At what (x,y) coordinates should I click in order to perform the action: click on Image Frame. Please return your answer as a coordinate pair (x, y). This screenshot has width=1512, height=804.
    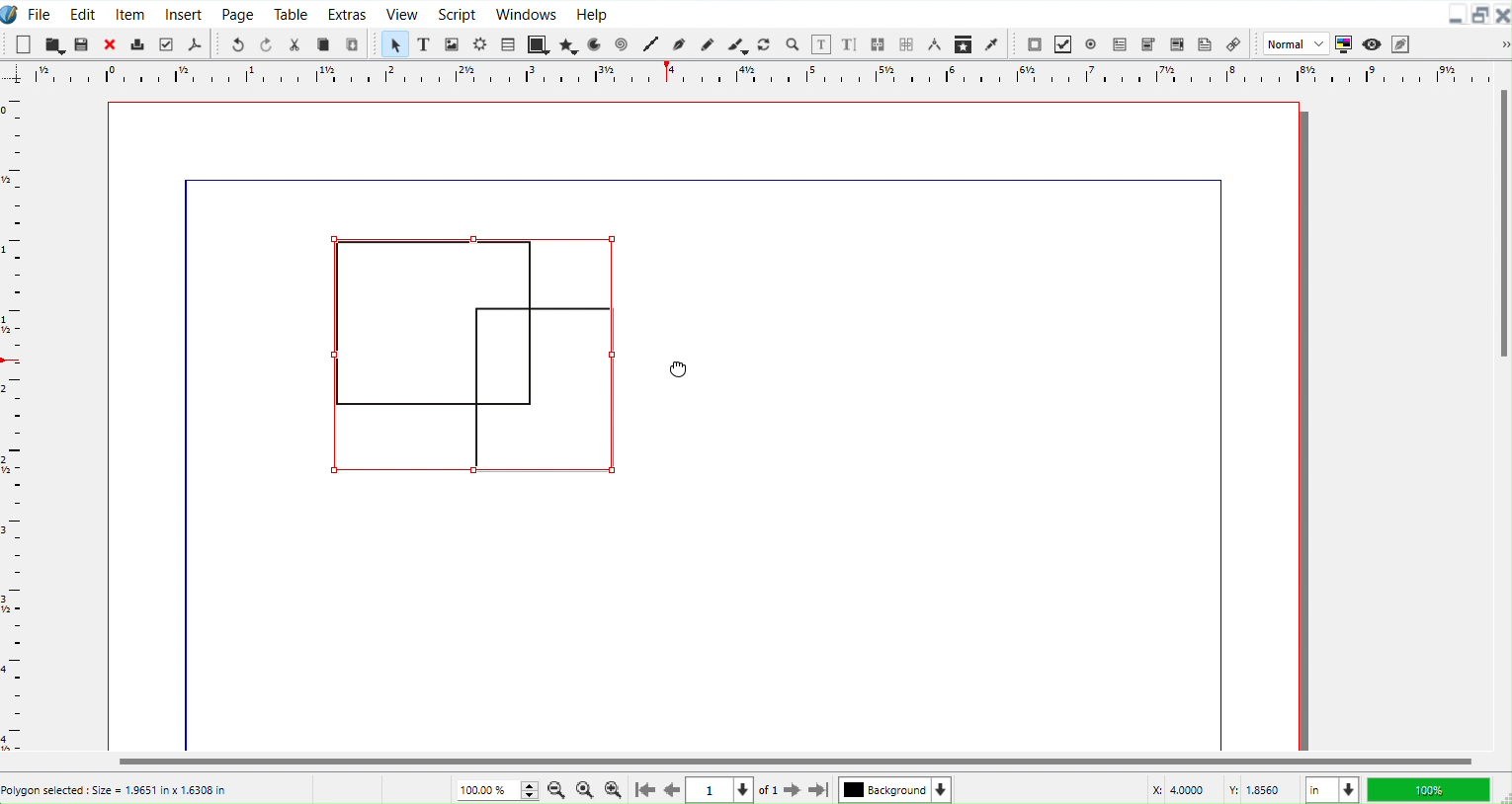
    Looking at the image, I should click on (453, 43).